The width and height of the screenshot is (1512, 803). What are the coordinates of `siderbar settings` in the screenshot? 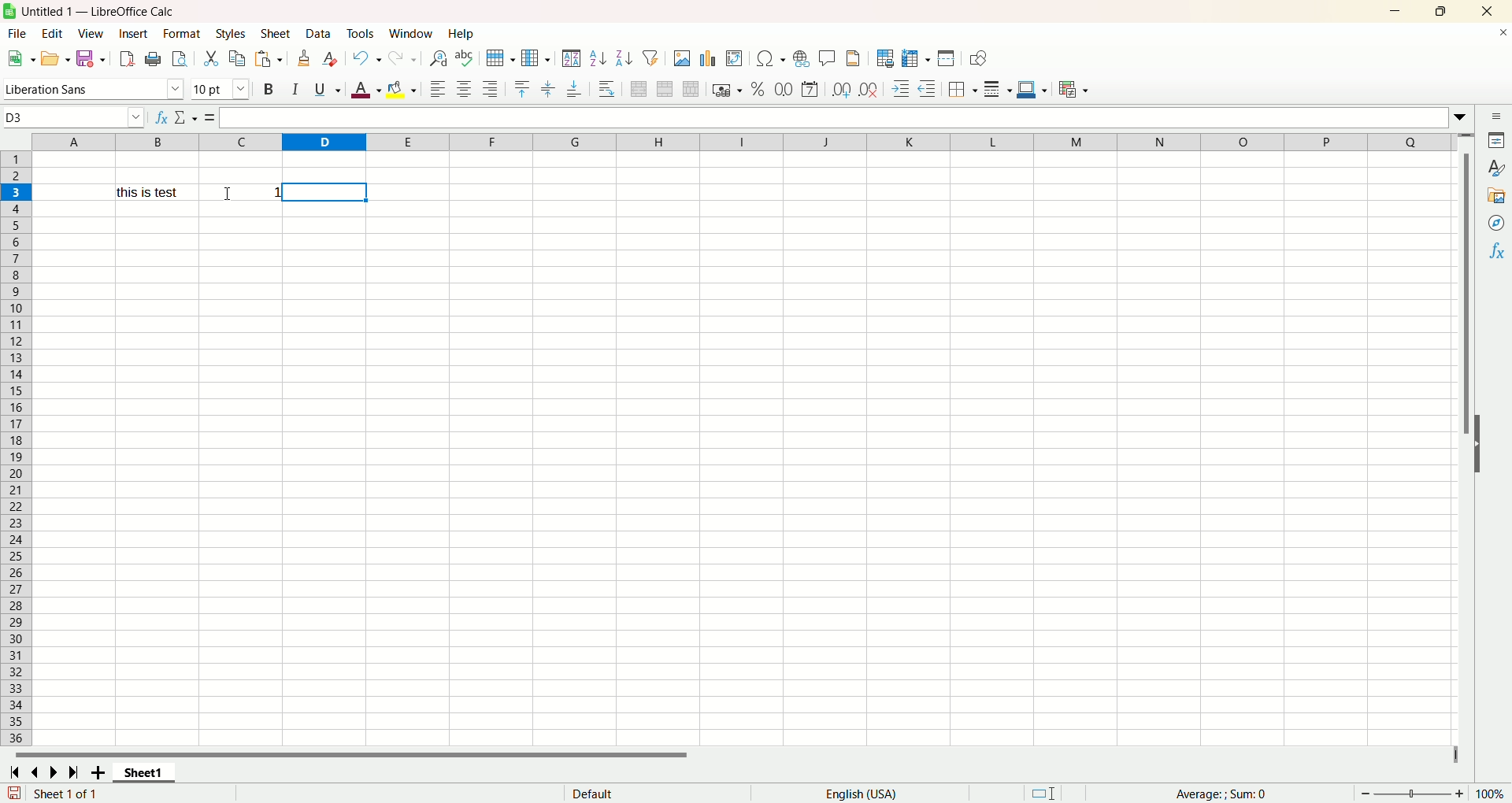 It's located at (1499, 117).